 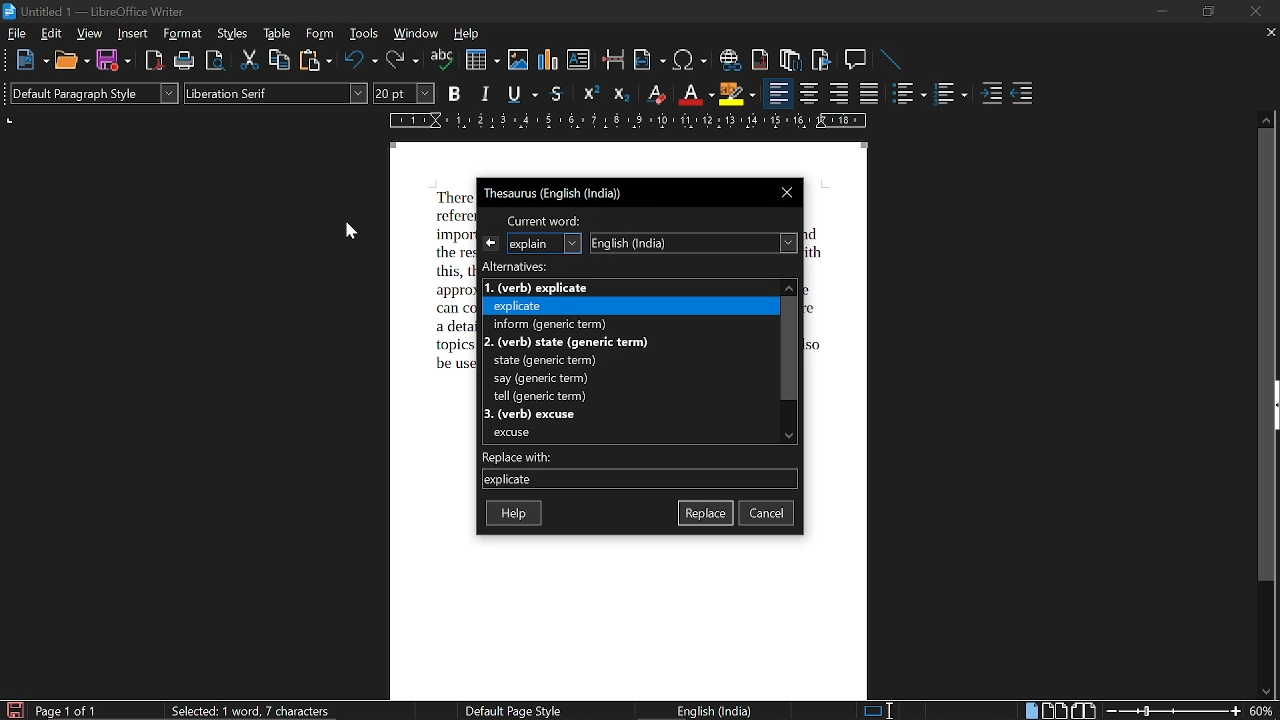 What do you see at coordinates (628, 425) in the screenshot?
I see `=` at bounding box center [628, 425].